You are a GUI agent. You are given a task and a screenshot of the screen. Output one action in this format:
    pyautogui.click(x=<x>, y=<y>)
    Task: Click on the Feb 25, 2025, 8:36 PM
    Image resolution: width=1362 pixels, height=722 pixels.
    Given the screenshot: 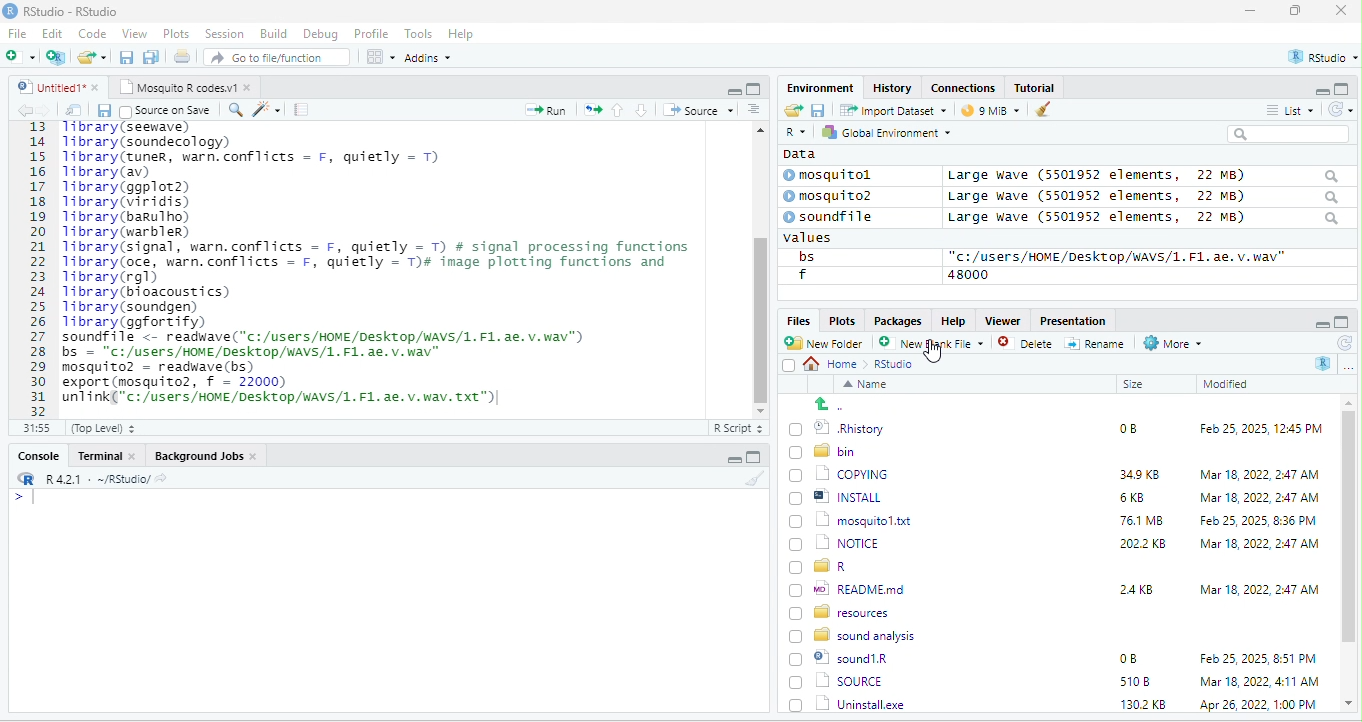 What is the action you would take?
    pyautogui.click(x=1254, y=520)
    